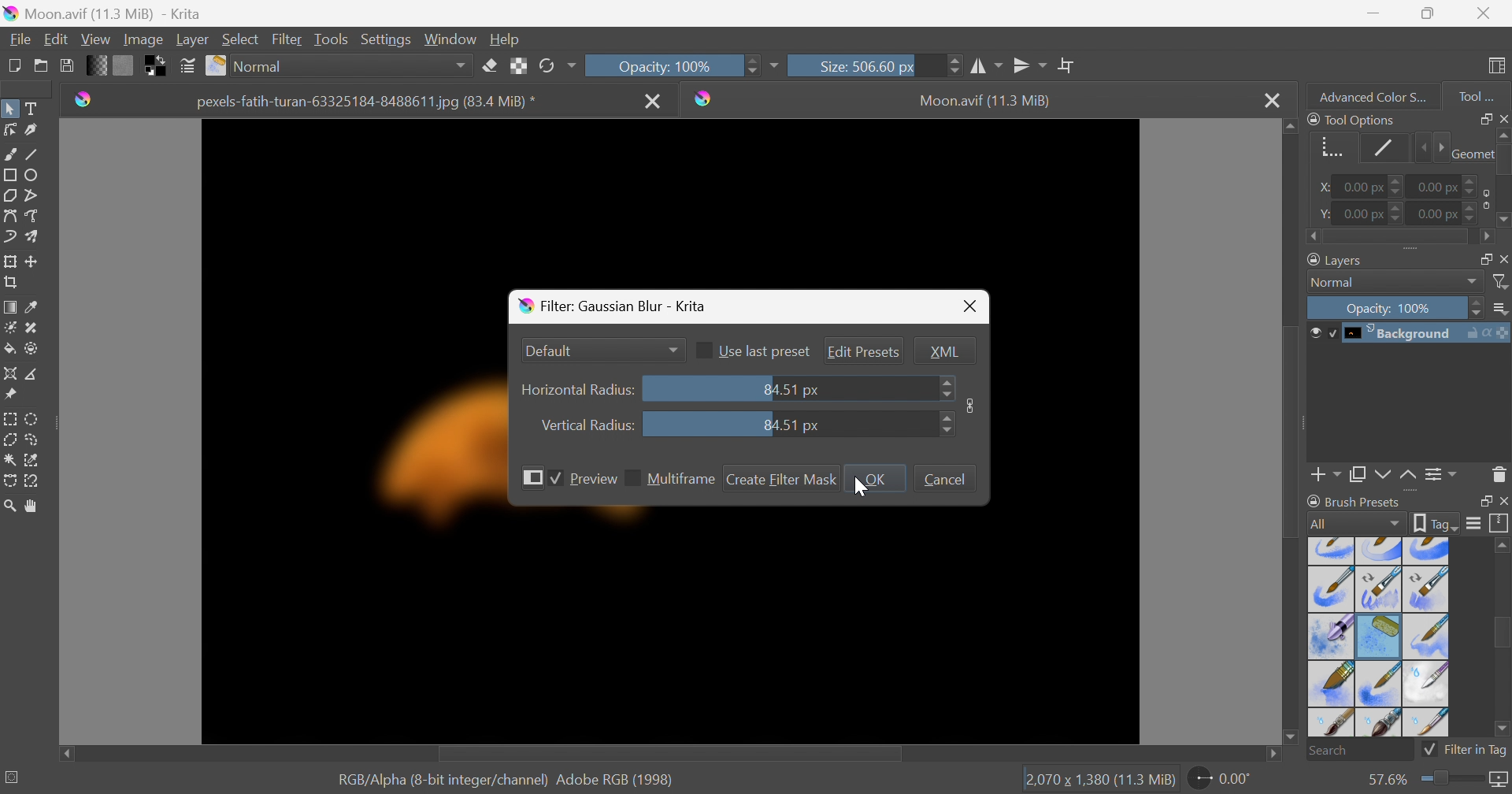 The height and width of the screenshot is (794, 1512). I want to click on Scroll left, so click(1314, 237).